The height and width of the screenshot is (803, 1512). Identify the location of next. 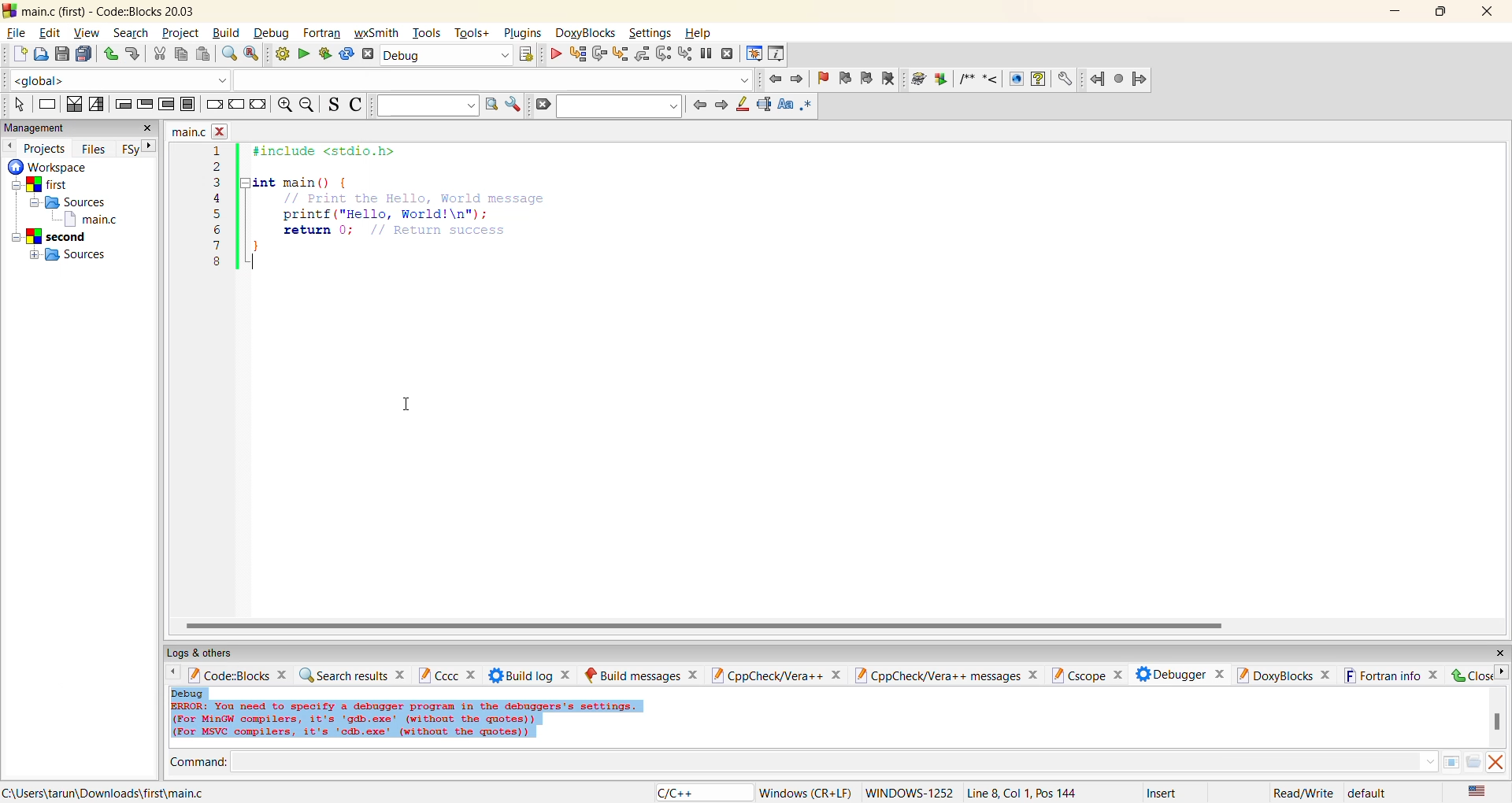
(720, 105).